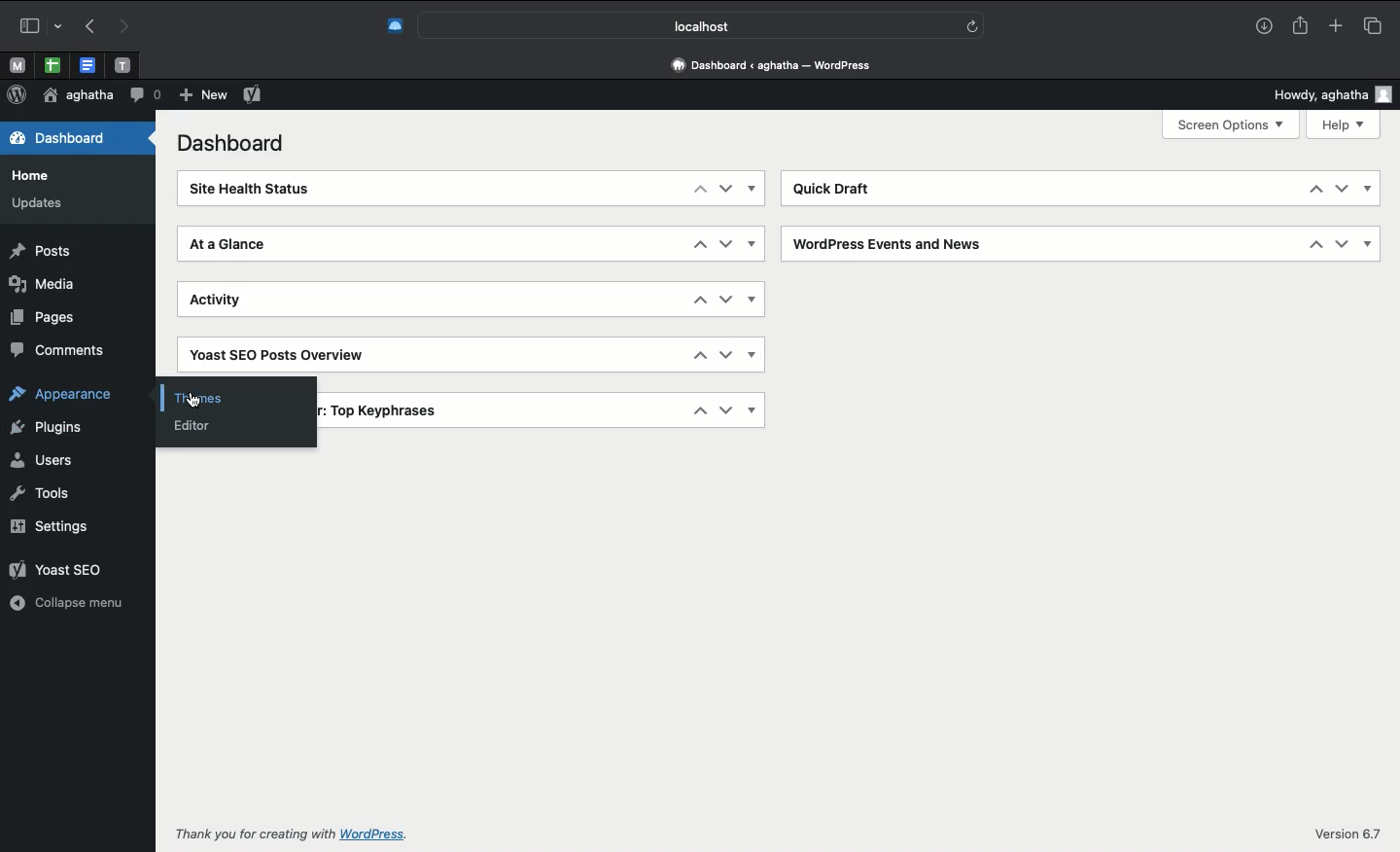 This screenshot has height=852, width=1400. I want to click on Show, so click(752, 243).